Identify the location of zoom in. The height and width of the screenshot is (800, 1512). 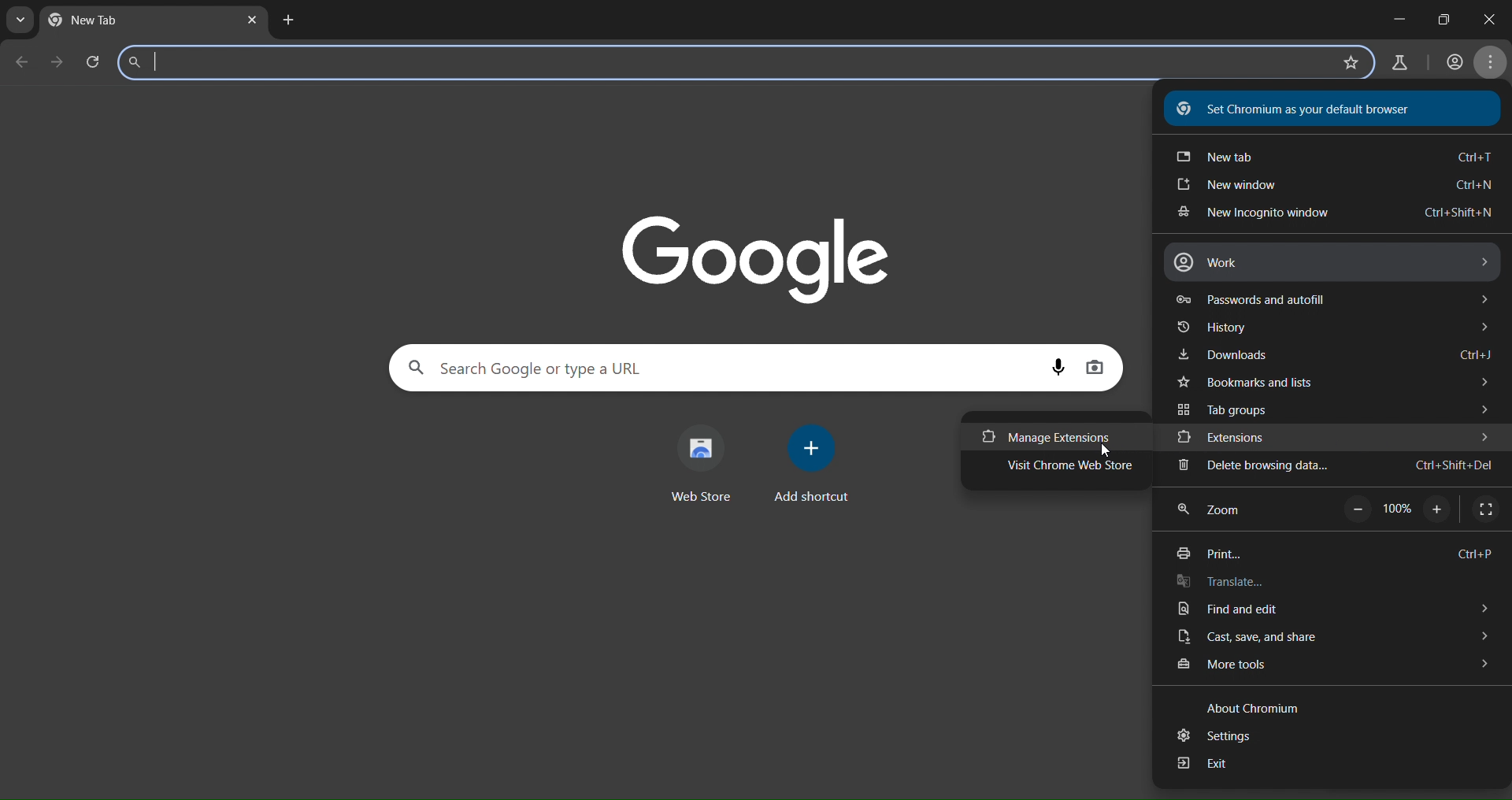
(1435, 509).